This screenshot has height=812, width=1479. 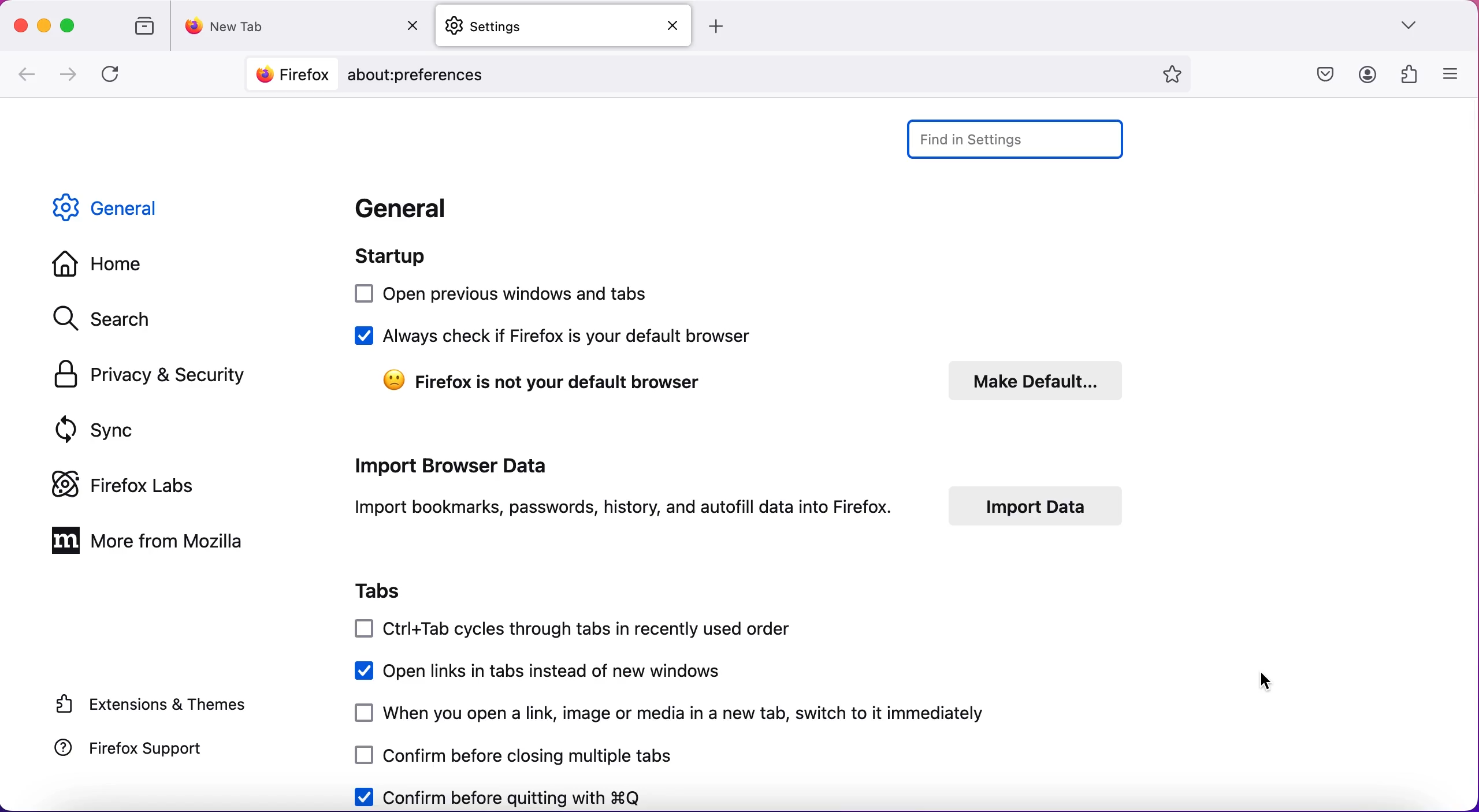 I want to click on add tab, so click(x=723, y=22).